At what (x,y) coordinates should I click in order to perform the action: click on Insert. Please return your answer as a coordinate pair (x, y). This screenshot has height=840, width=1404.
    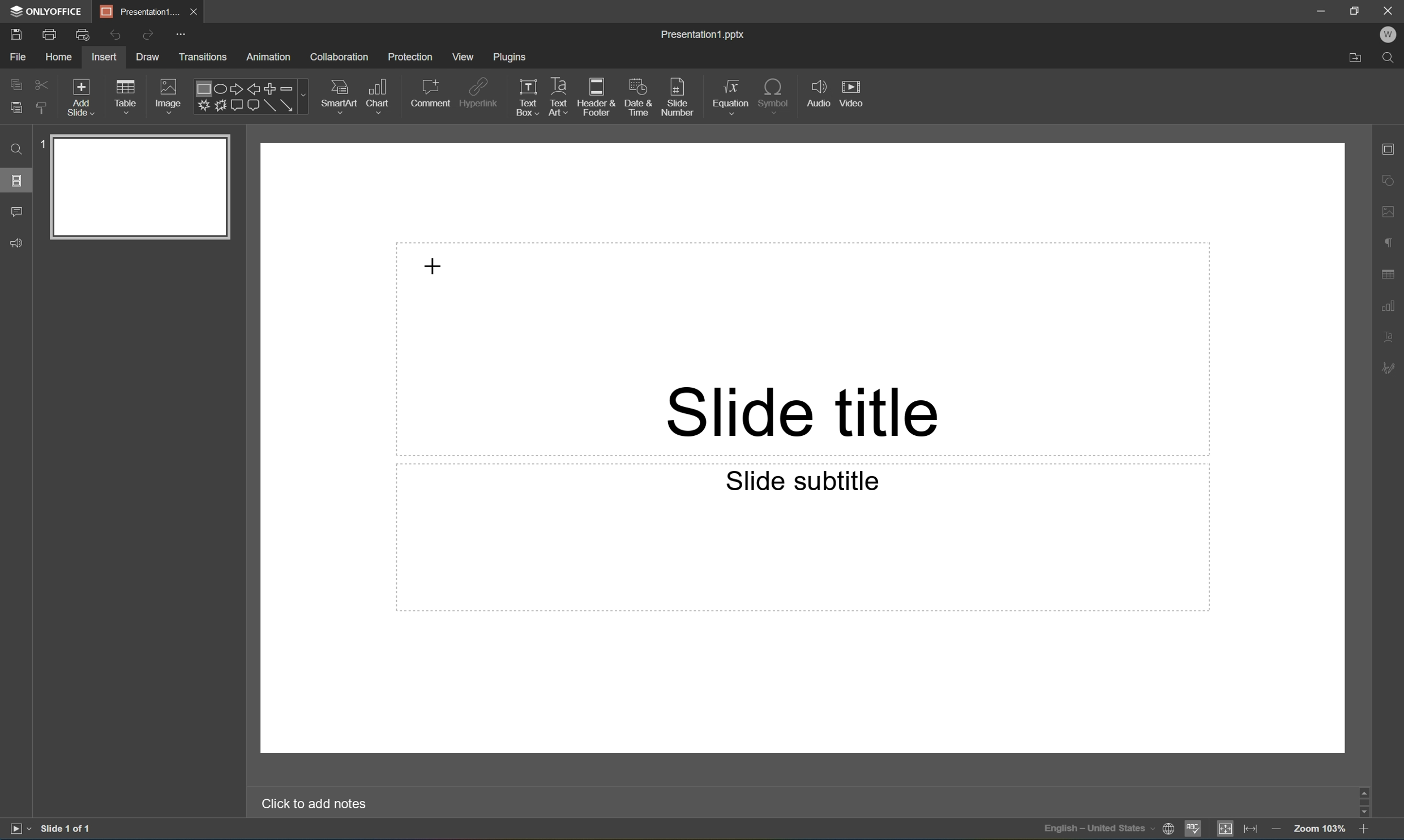
    Looking at the image, I should click on (104, 57).